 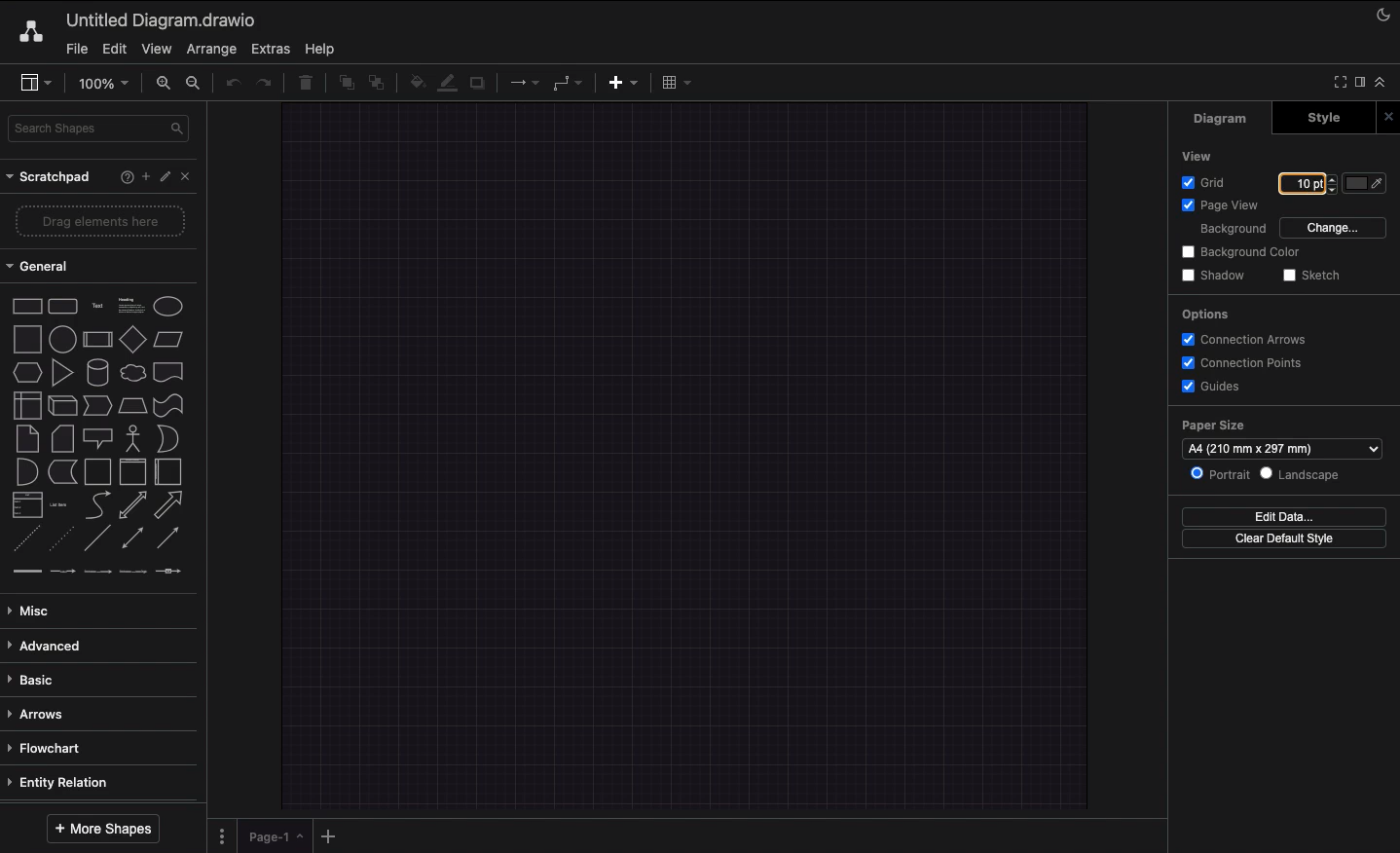 I want to click on Misc, so click(x=36, y=611).